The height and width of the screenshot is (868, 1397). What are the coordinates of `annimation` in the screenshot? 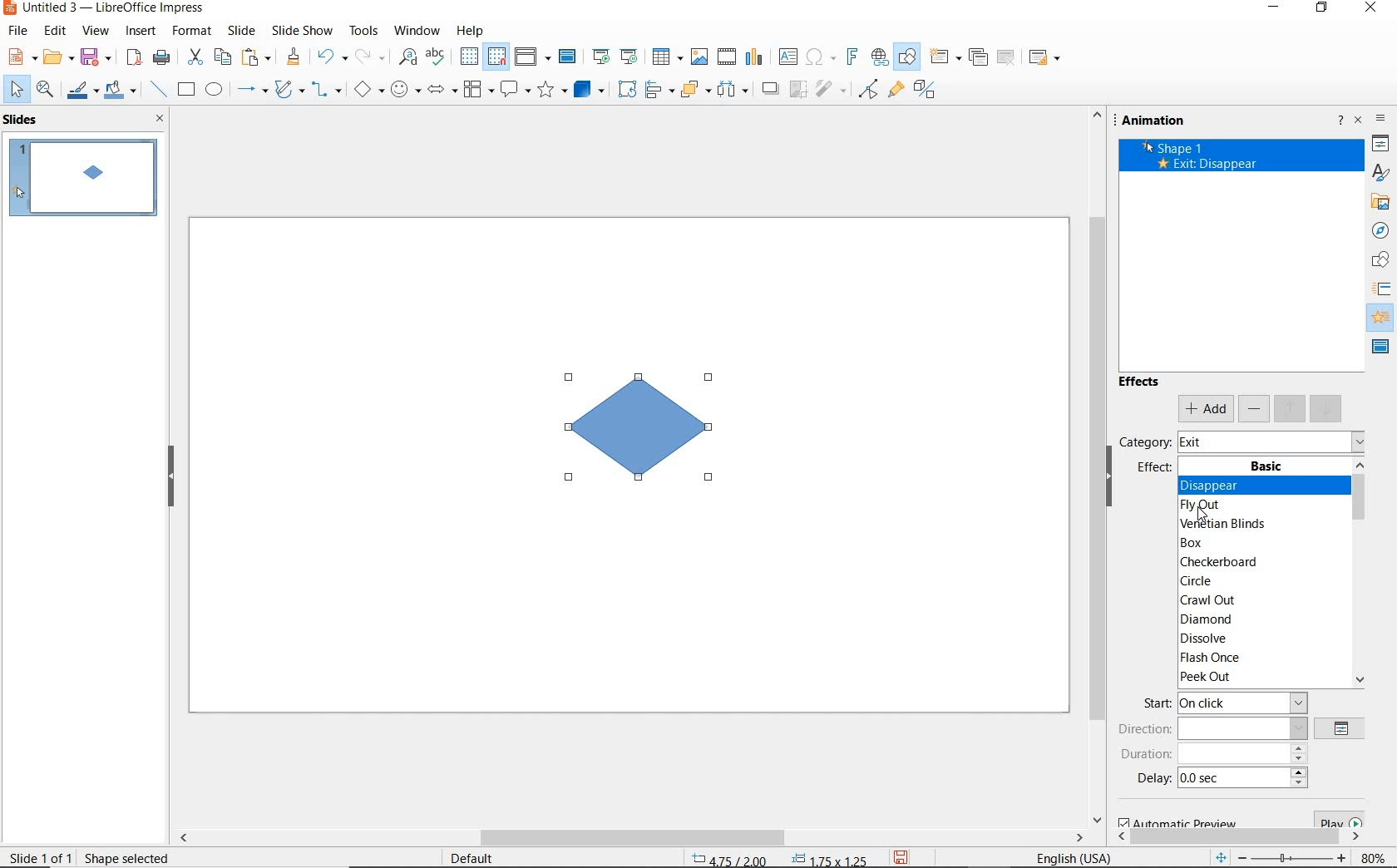 It's located at (1173, 122).